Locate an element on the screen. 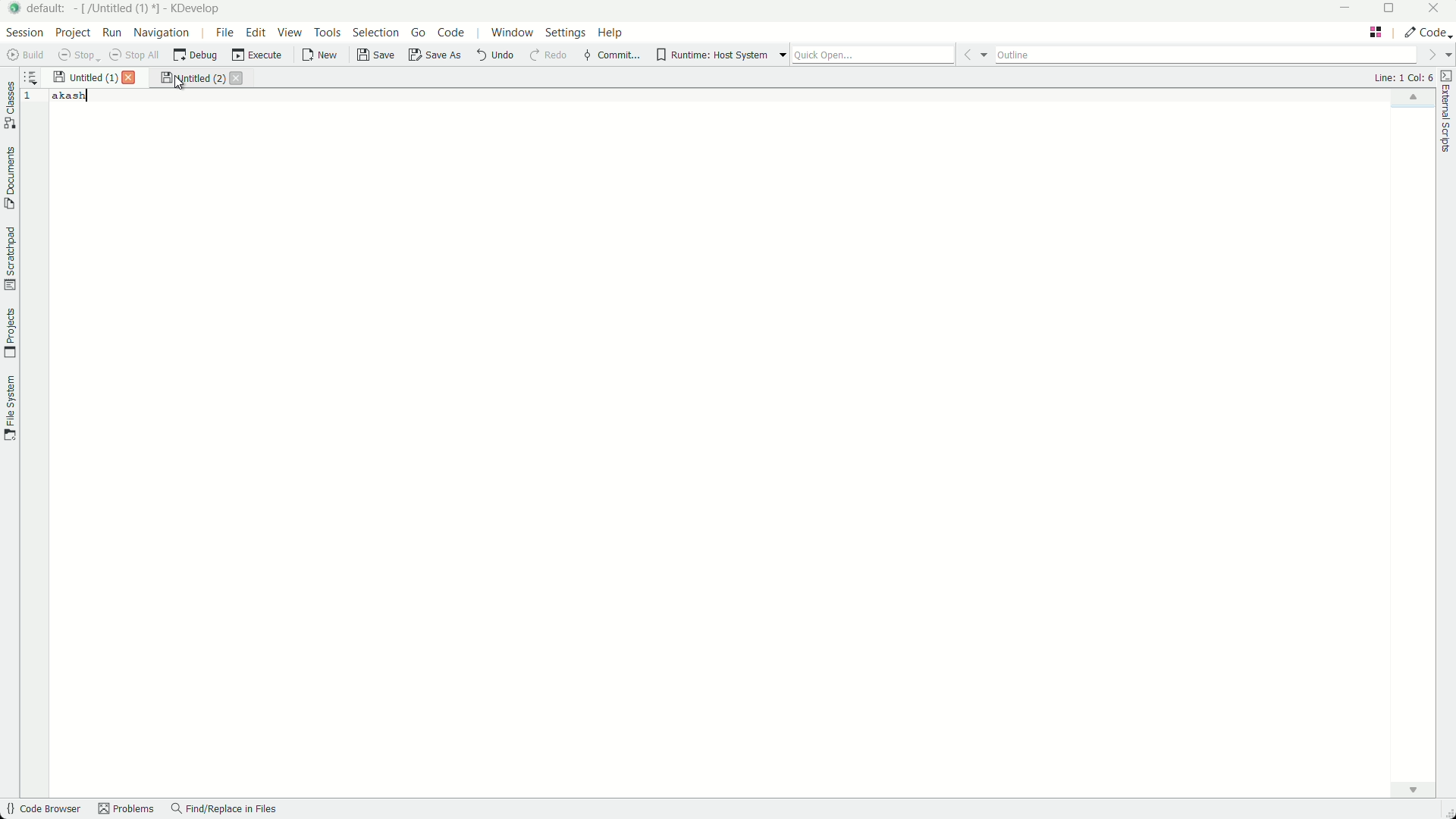 This screenshot has height=819, width=1456. change layout is located at coordinates (1376, 33).